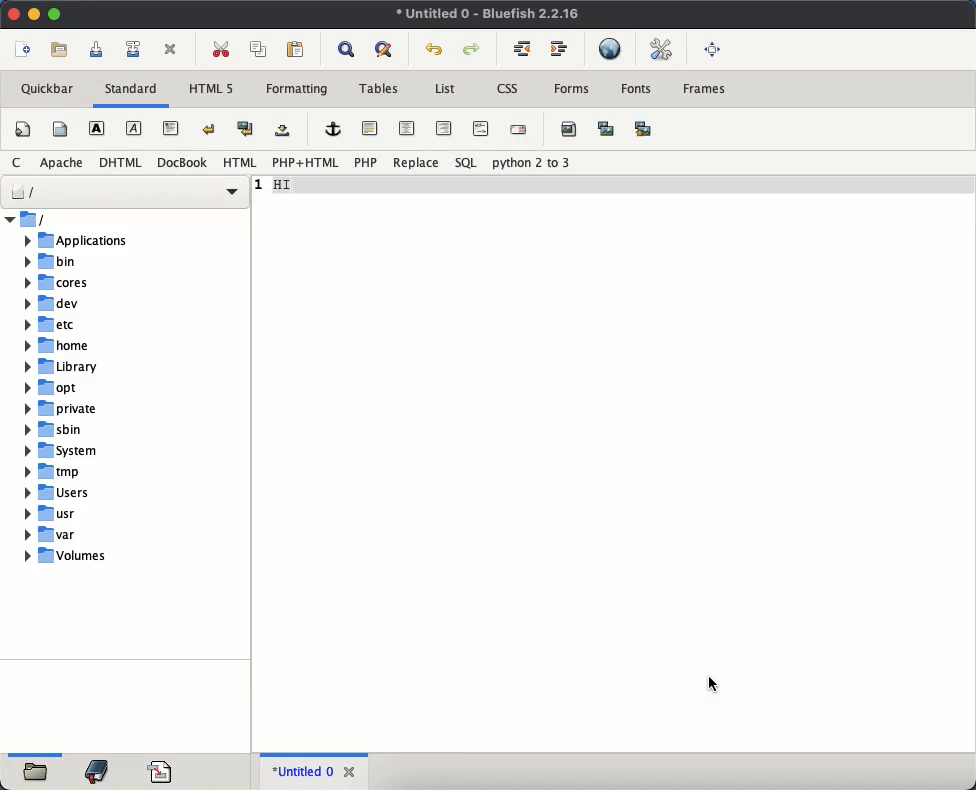 This screenshot has height=790, width=976. What do you see at coordinates (127, 220) in the screenshot?
I see `folder` at bounding box center [127, 220].